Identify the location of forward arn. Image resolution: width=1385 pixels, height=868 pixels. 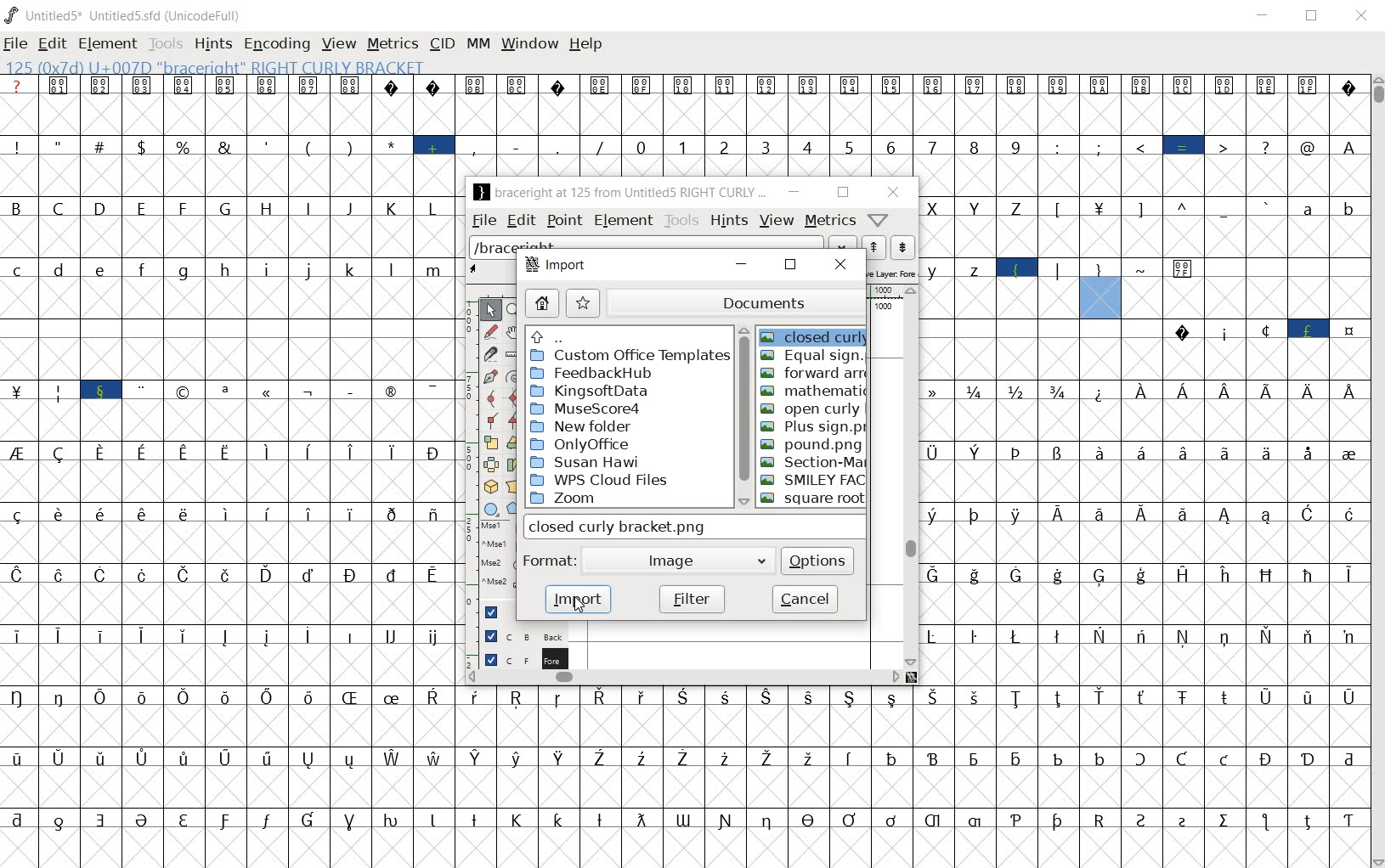
(814, 374).